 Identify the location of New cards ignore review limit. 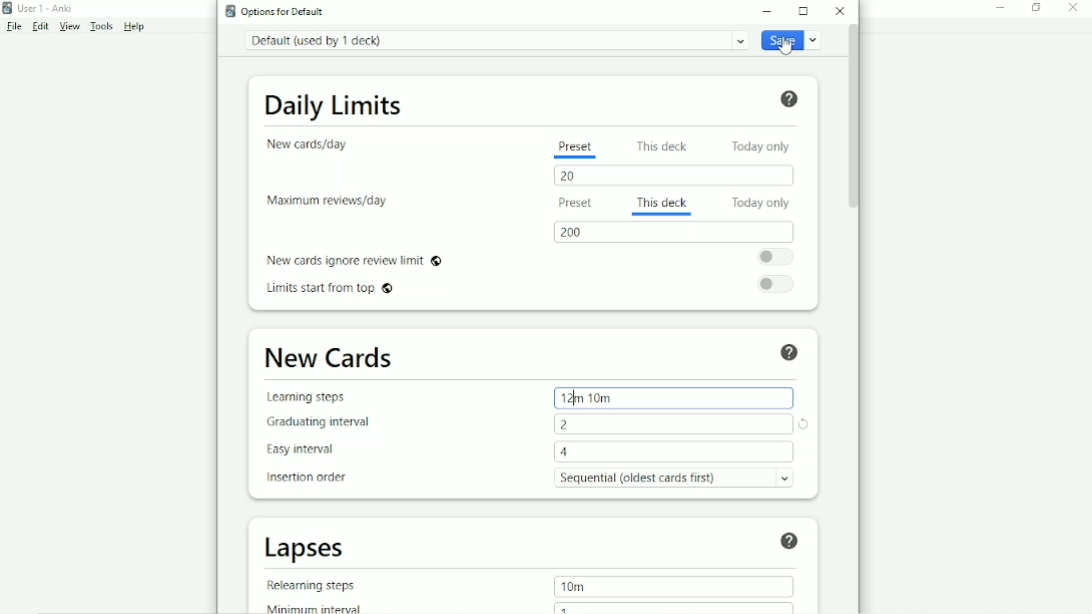
(356, 260).